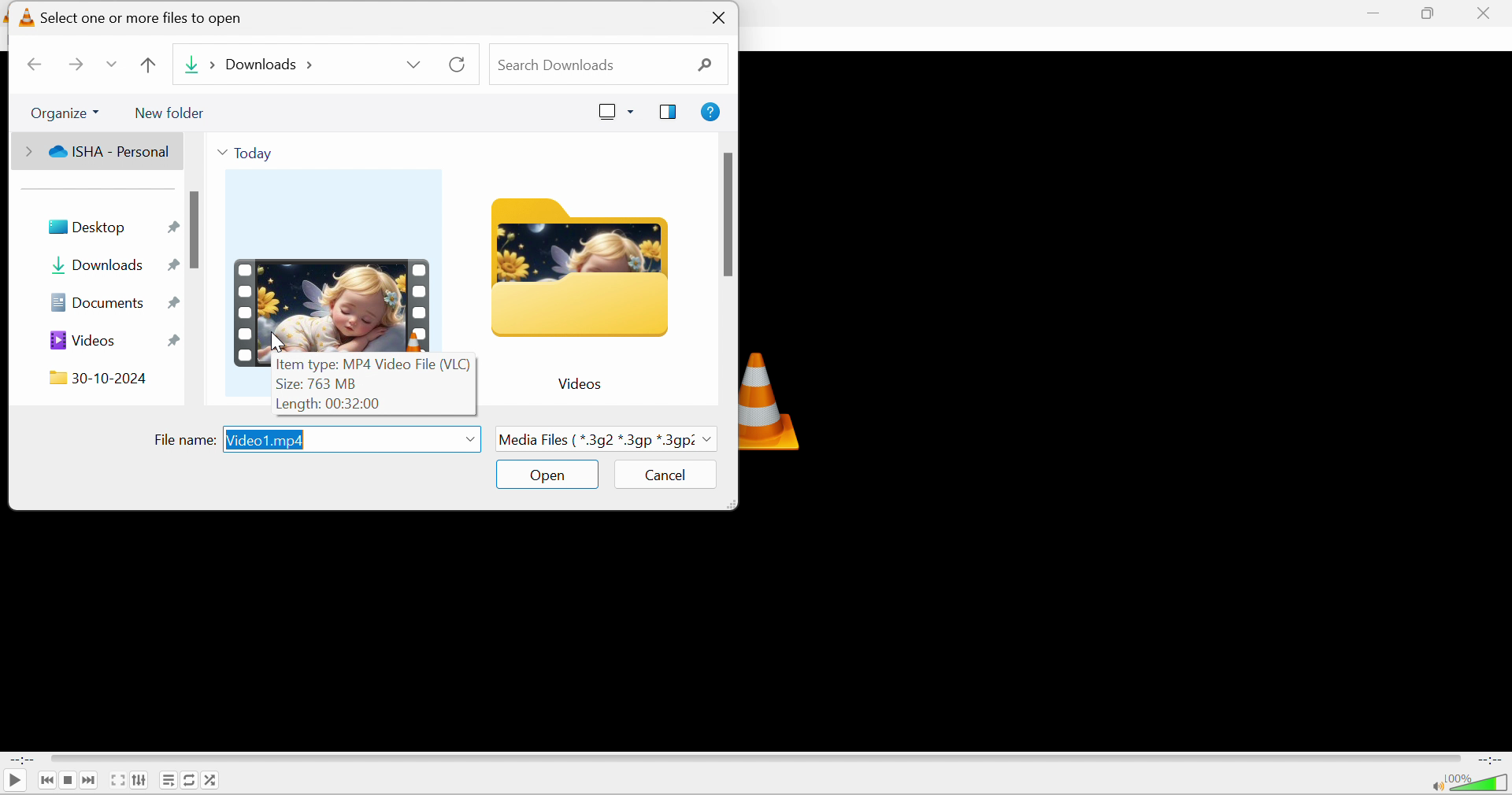  What do you see at coordinates (332, 303) in the screenshot?
I see `Video` at bounding box center [332, 303].